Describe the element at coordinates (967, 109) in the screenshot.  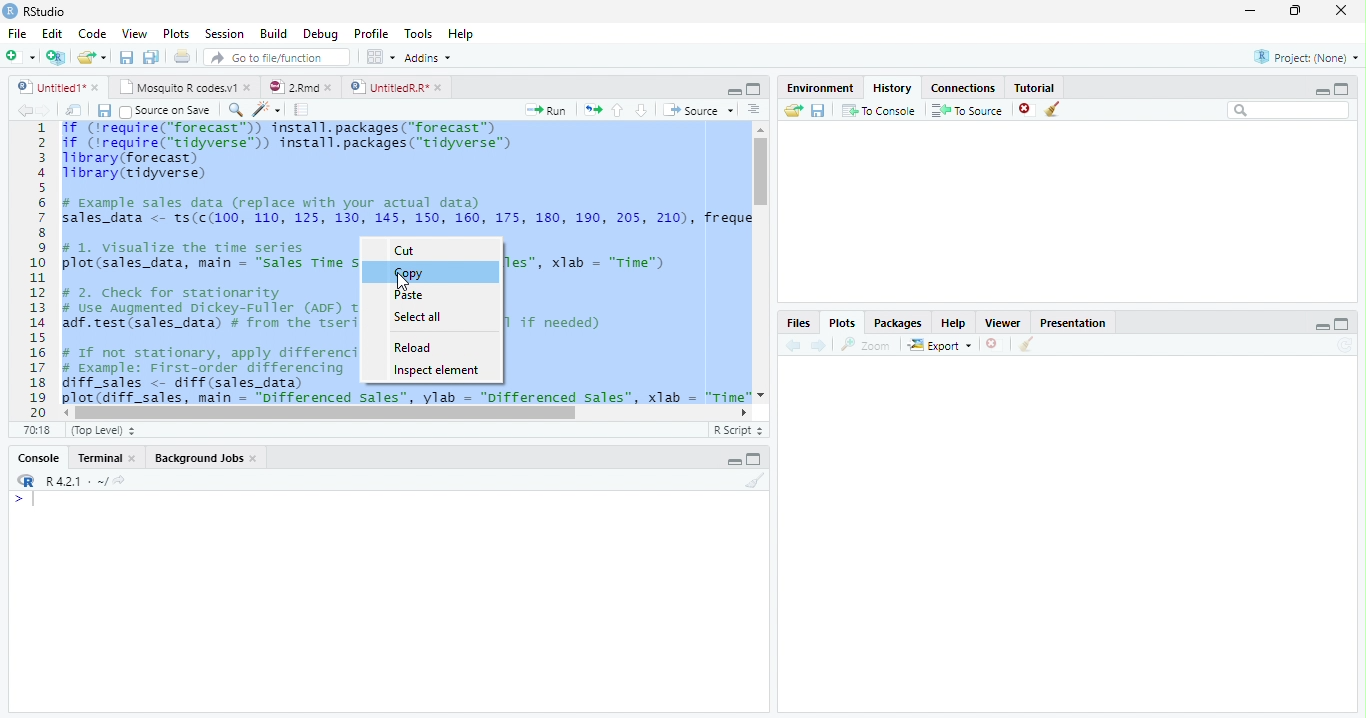
I see `To Source` at that location.